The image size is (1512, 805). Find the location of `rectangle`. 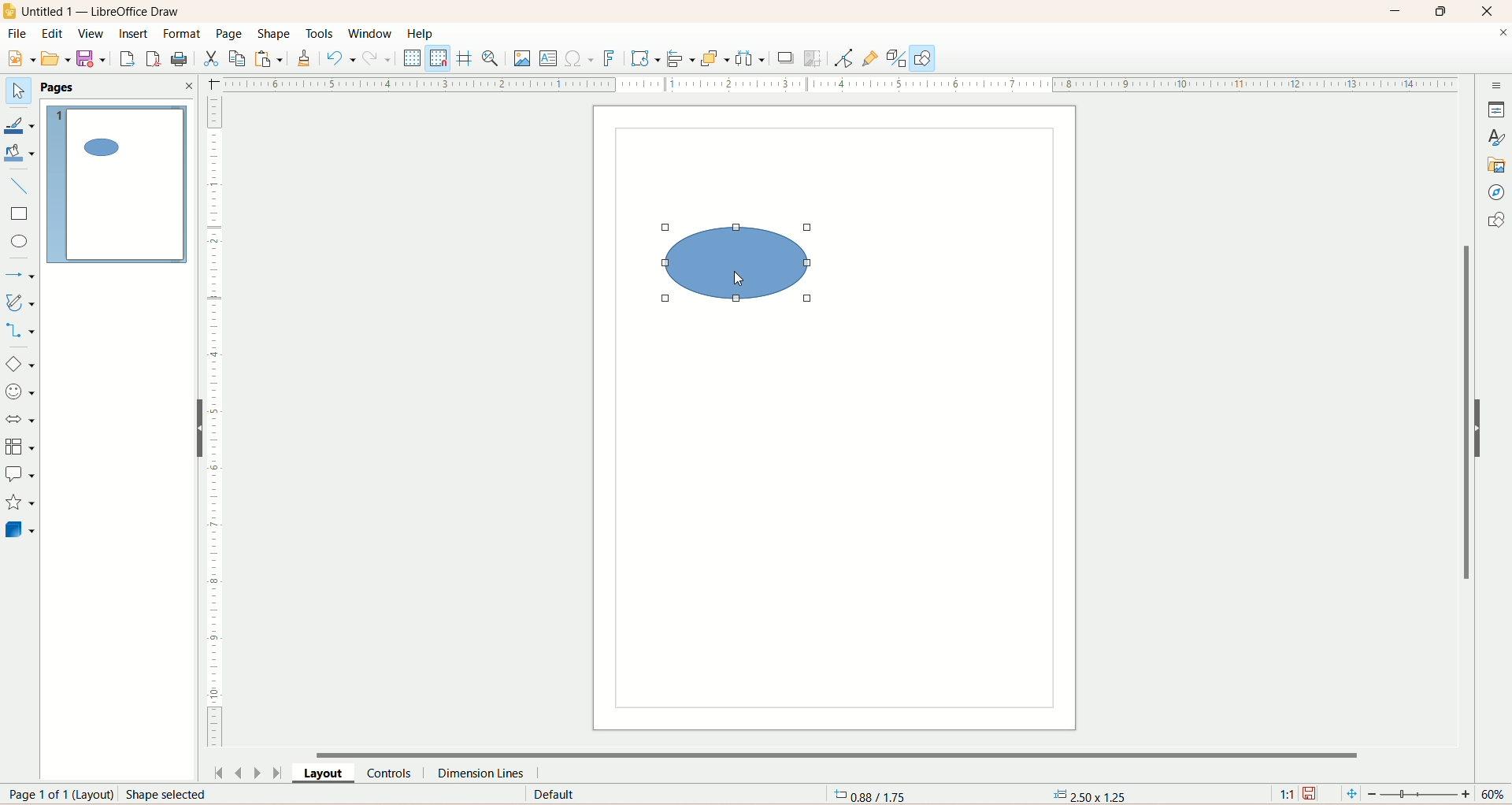

rectangle is located at coordinates (21, 213).